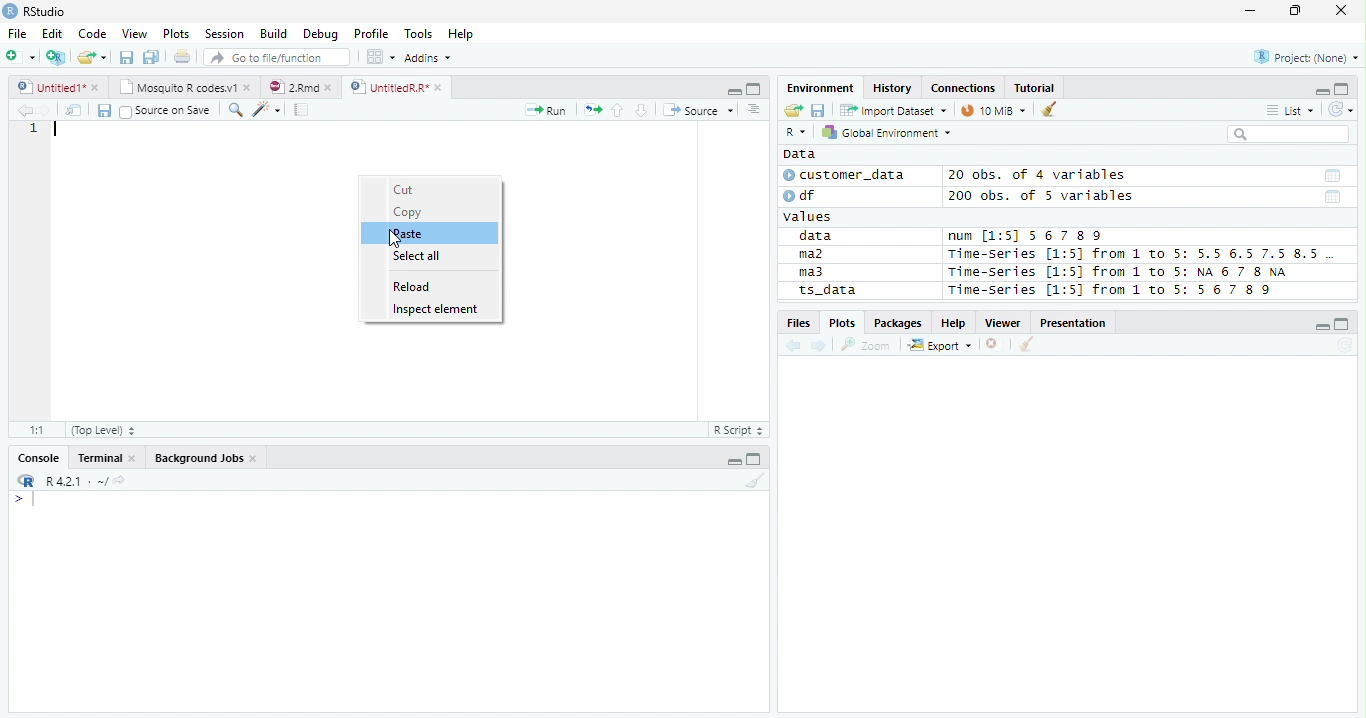  I want to click on View, so click(136, 33).